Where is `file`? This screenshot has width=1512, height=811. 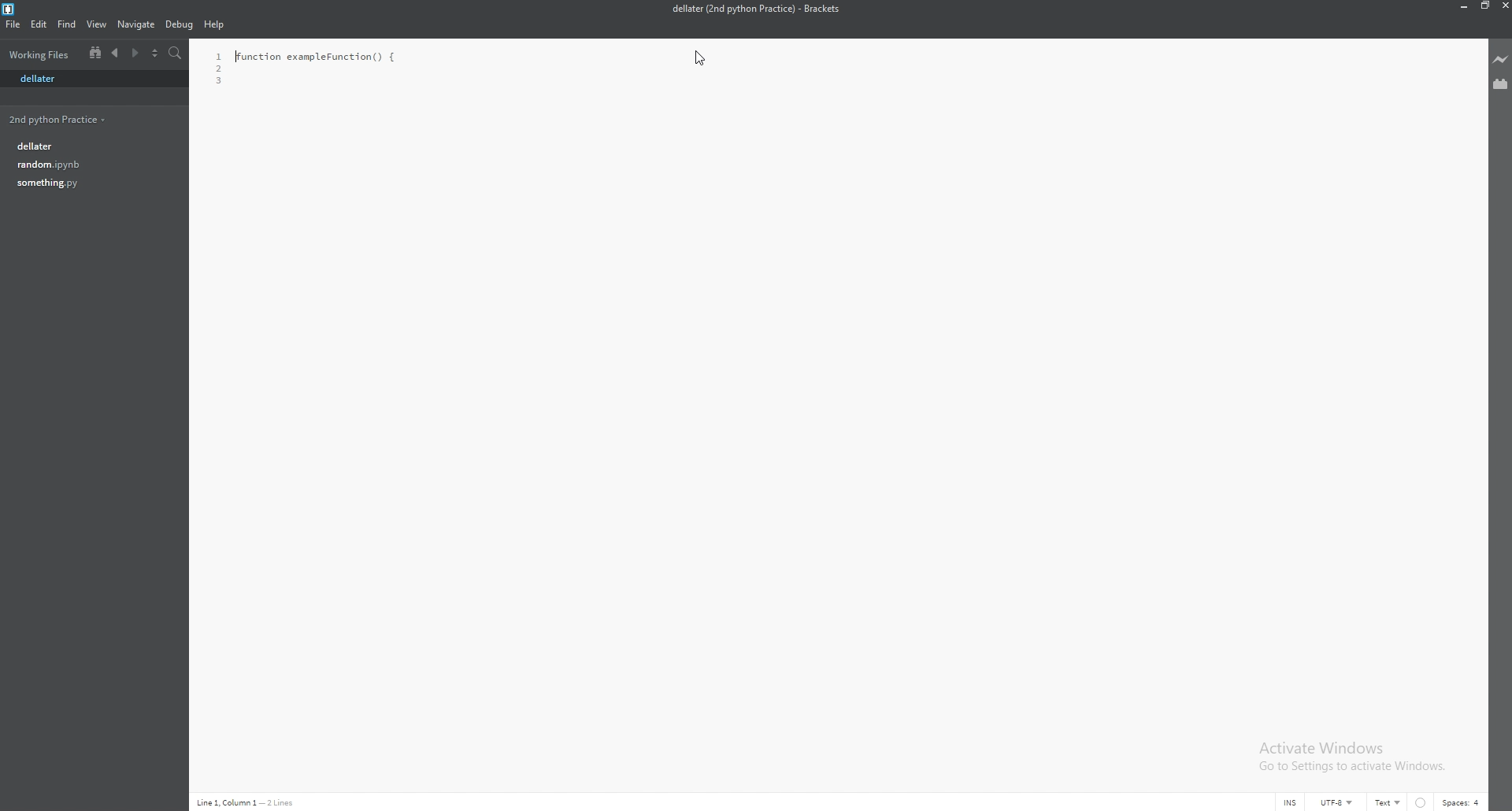 file is located at coordinates (13, 24).